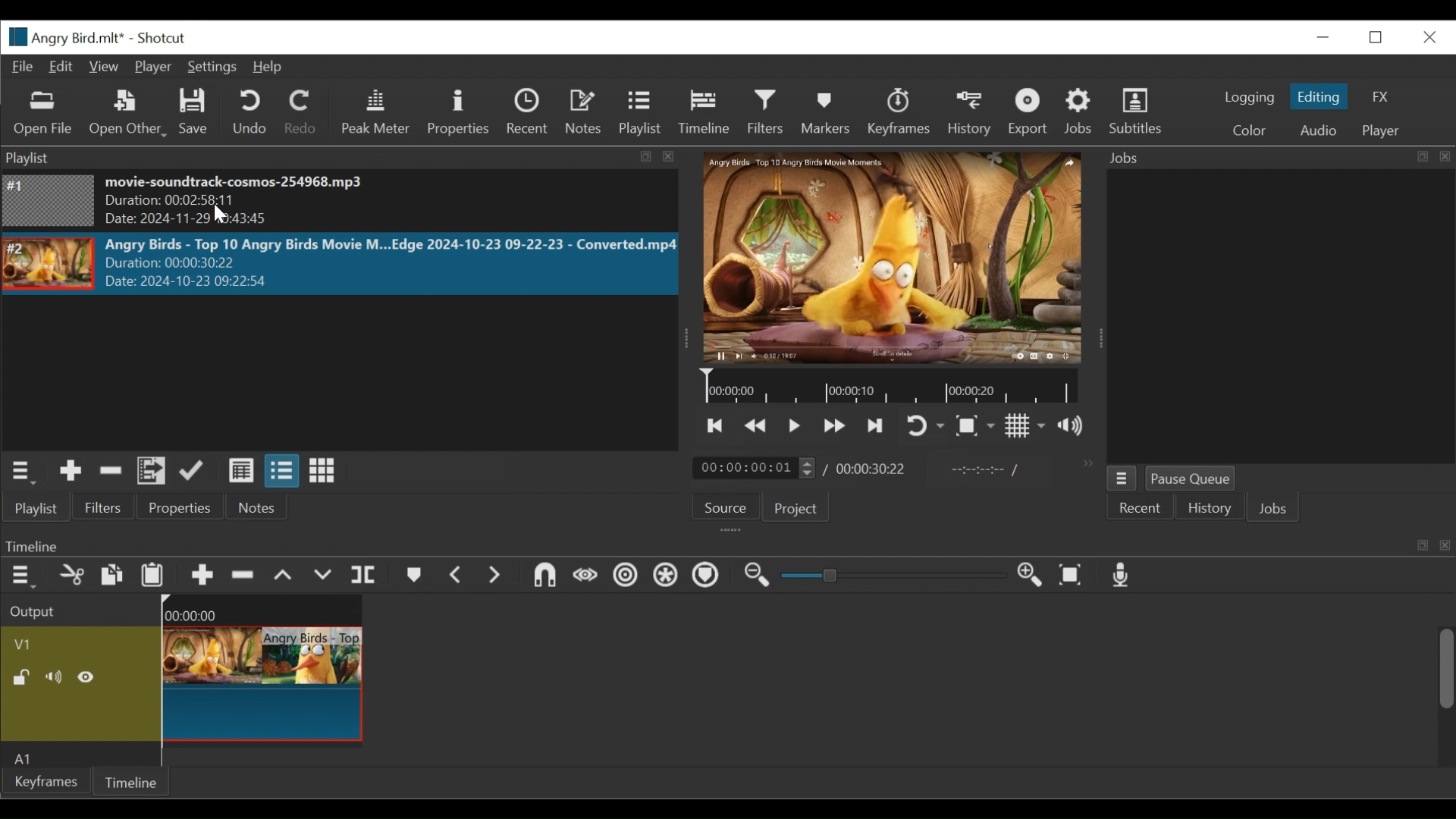 This screenshot has height=819, width=1456. What do you see at coordinates (1323, 35) in the screenshot?
I see `minimize` at bounding box center [1323, 35].